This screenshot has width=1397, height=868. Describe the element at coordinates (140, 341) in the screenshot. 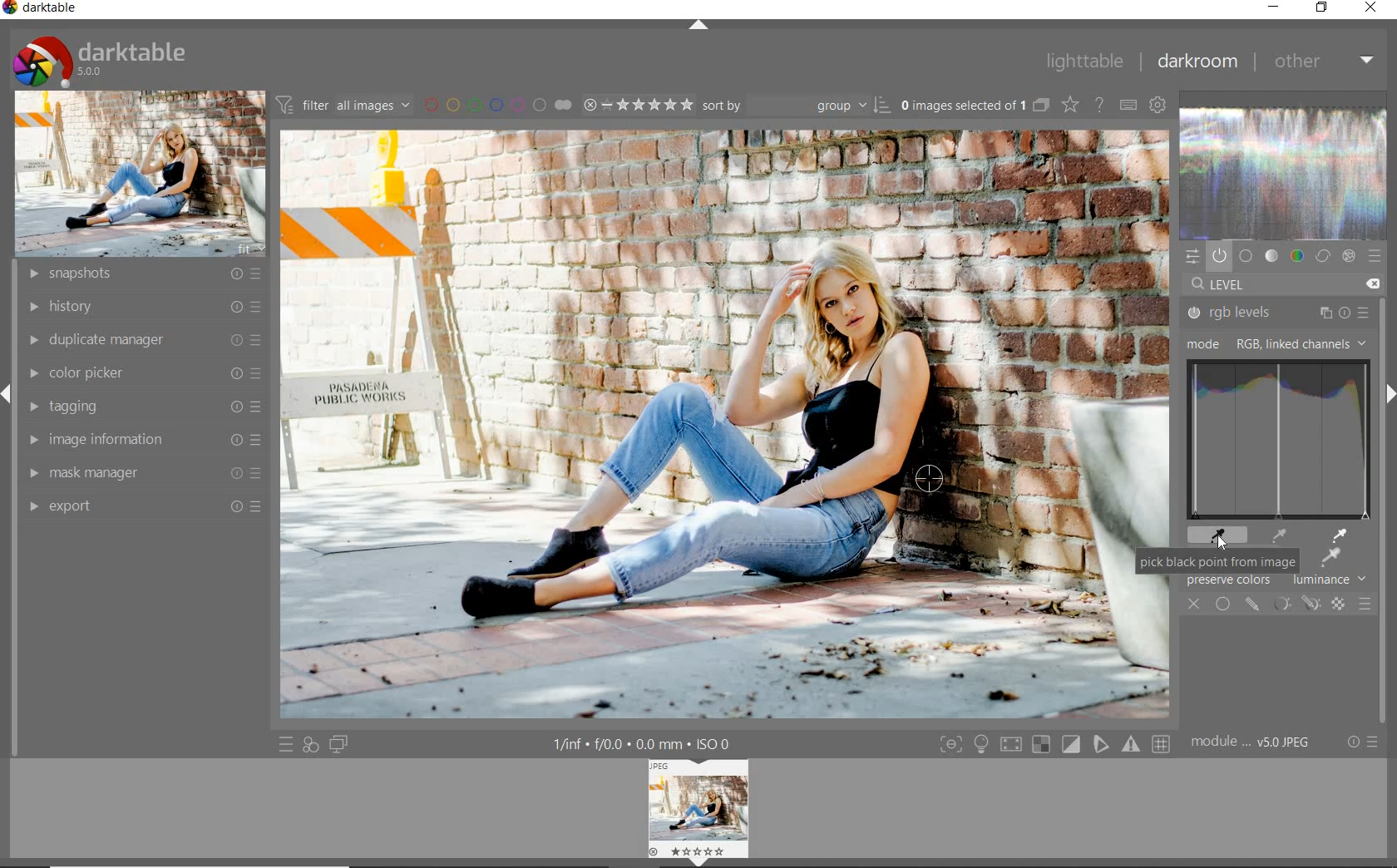

I see `duplicate manager` at that location.